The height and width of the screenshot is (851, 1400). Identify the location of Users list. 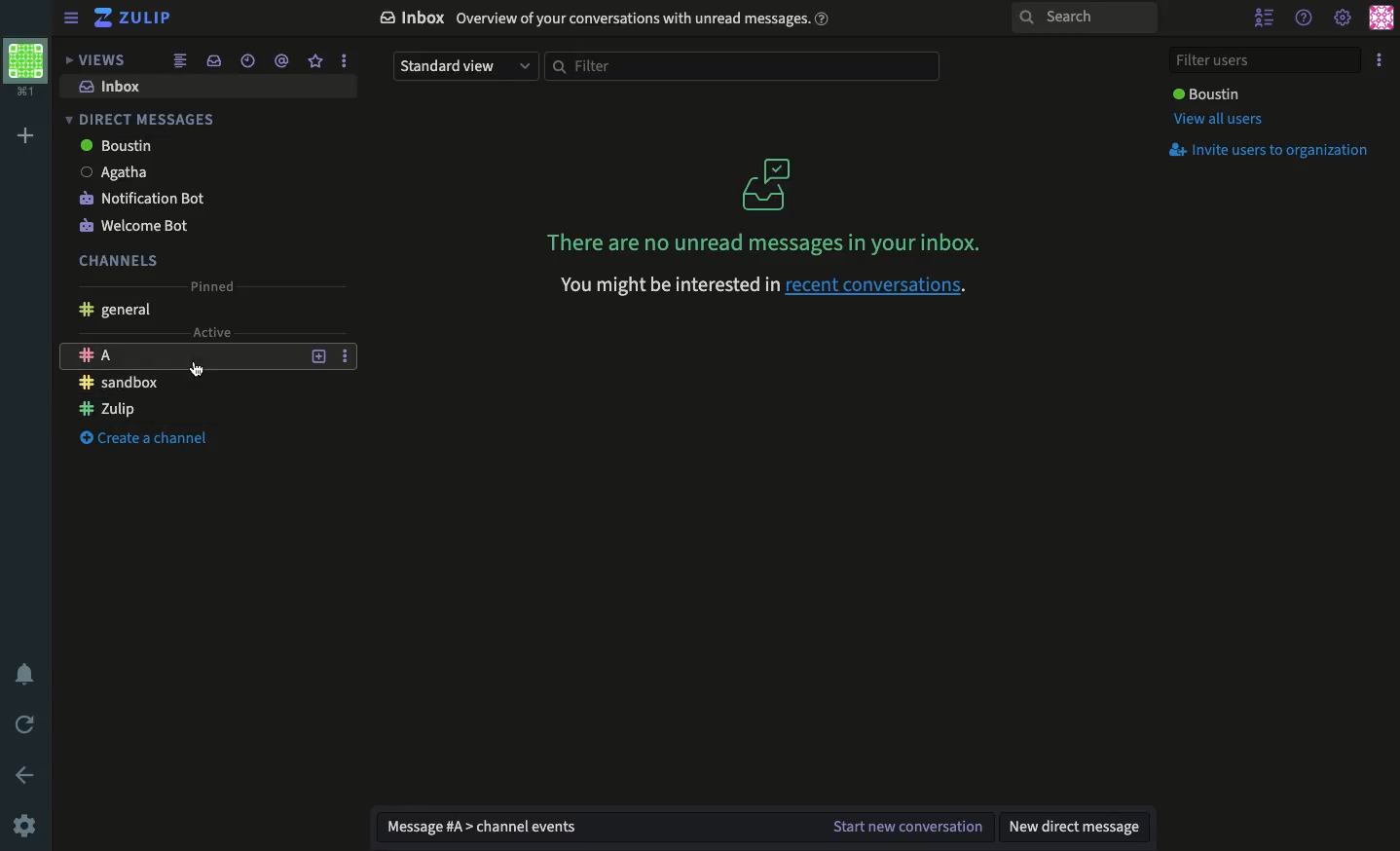
(1267, 18).